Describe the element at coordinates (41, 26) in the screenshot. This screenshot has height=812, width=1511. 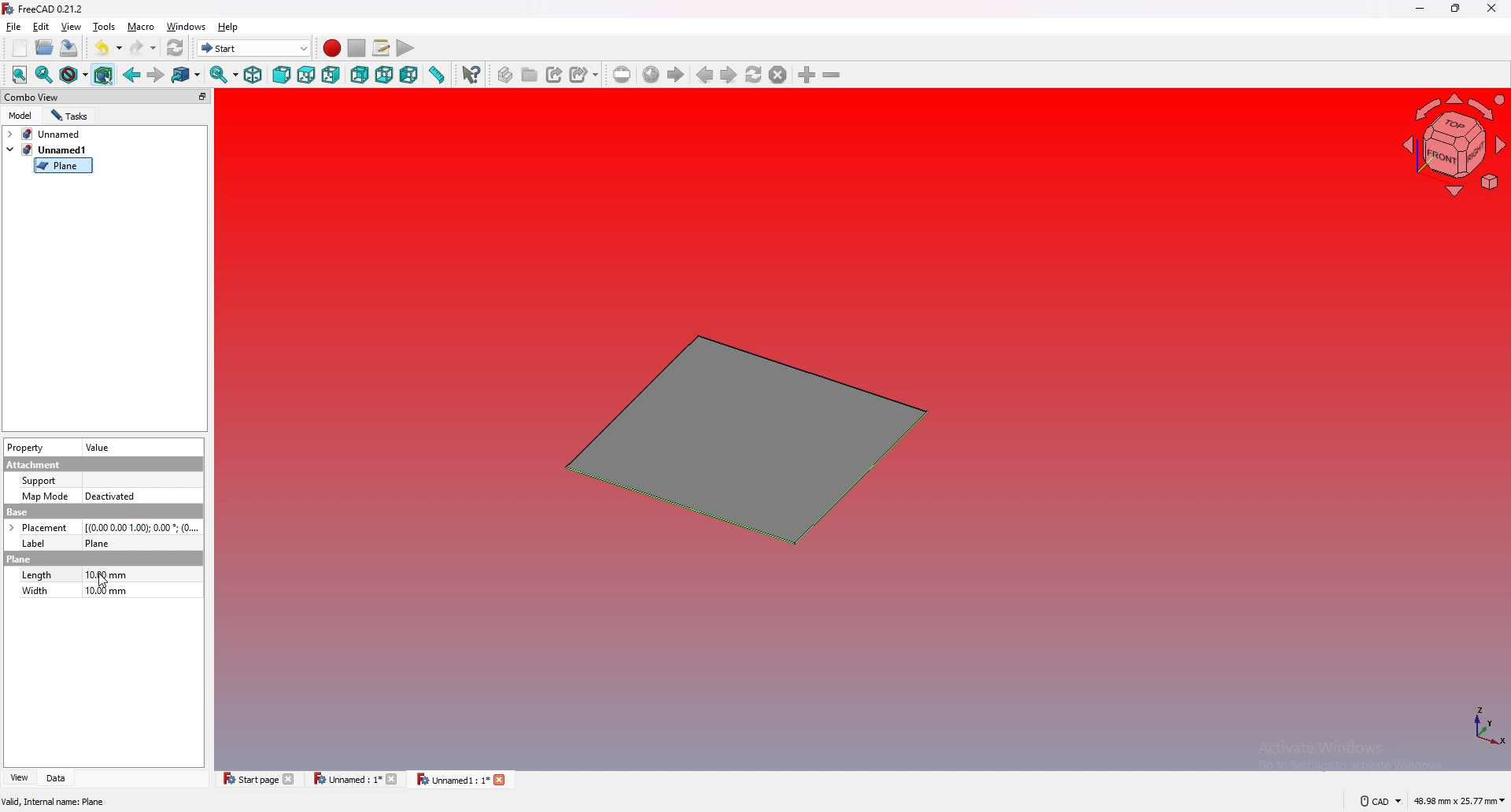
I see `edit` at that location.